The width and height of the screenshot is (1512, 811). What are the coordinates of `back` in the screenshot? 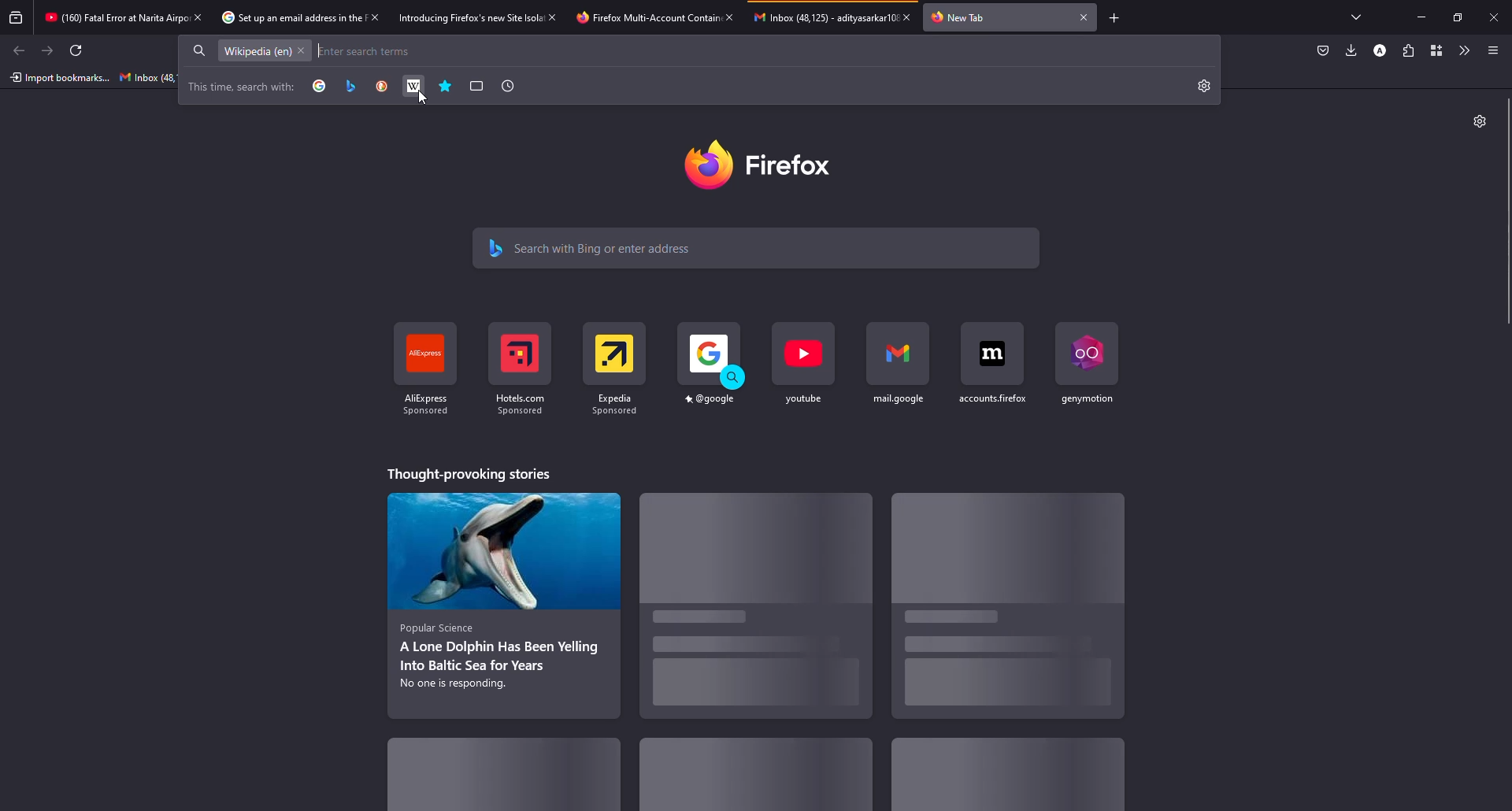 It's located at (20, 51).